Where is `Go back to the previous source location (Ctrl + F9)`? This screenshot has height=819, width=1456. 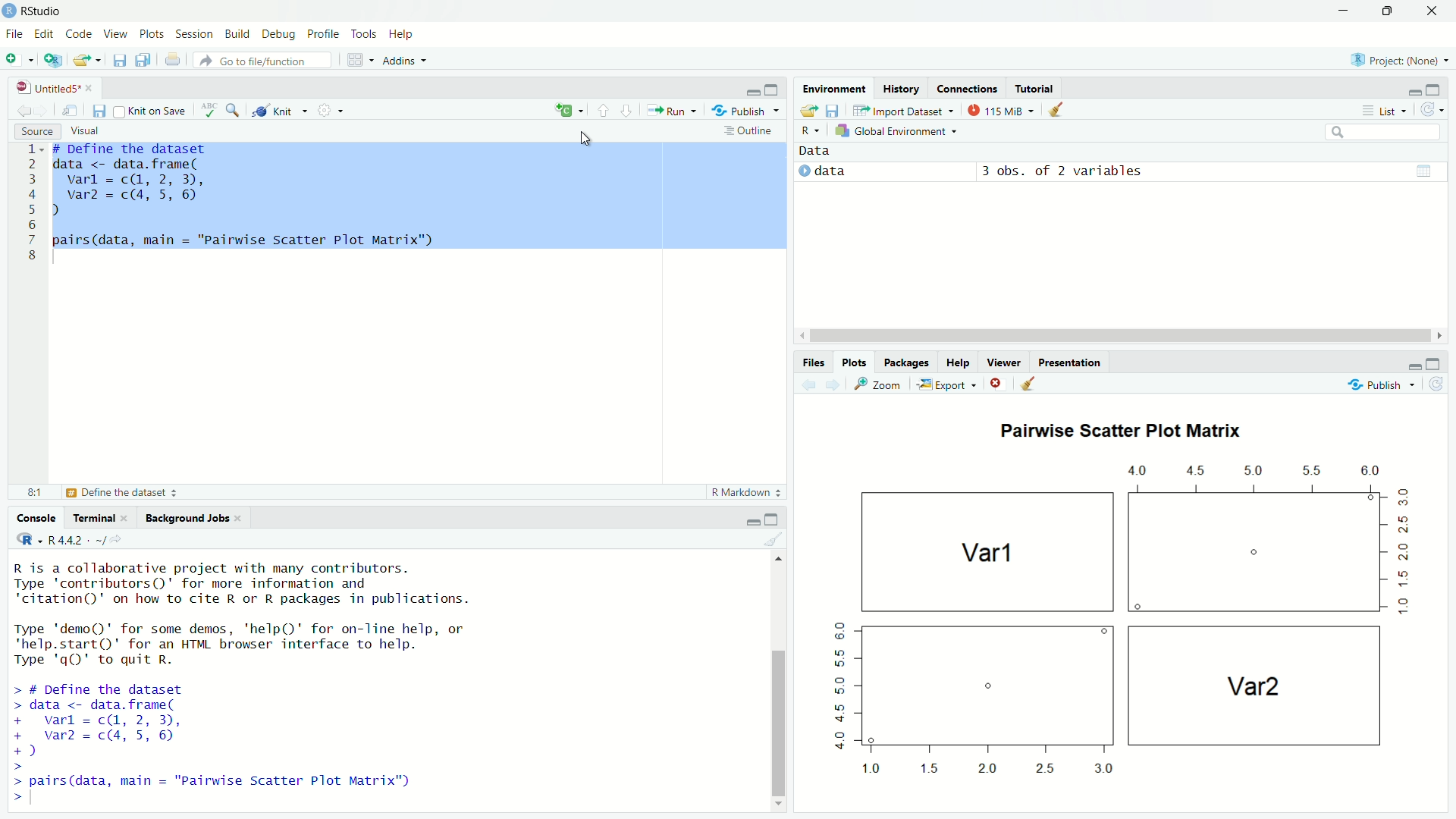
Go back to the previous source location (Ctrl + F9) is located at coordinates (24, 108).